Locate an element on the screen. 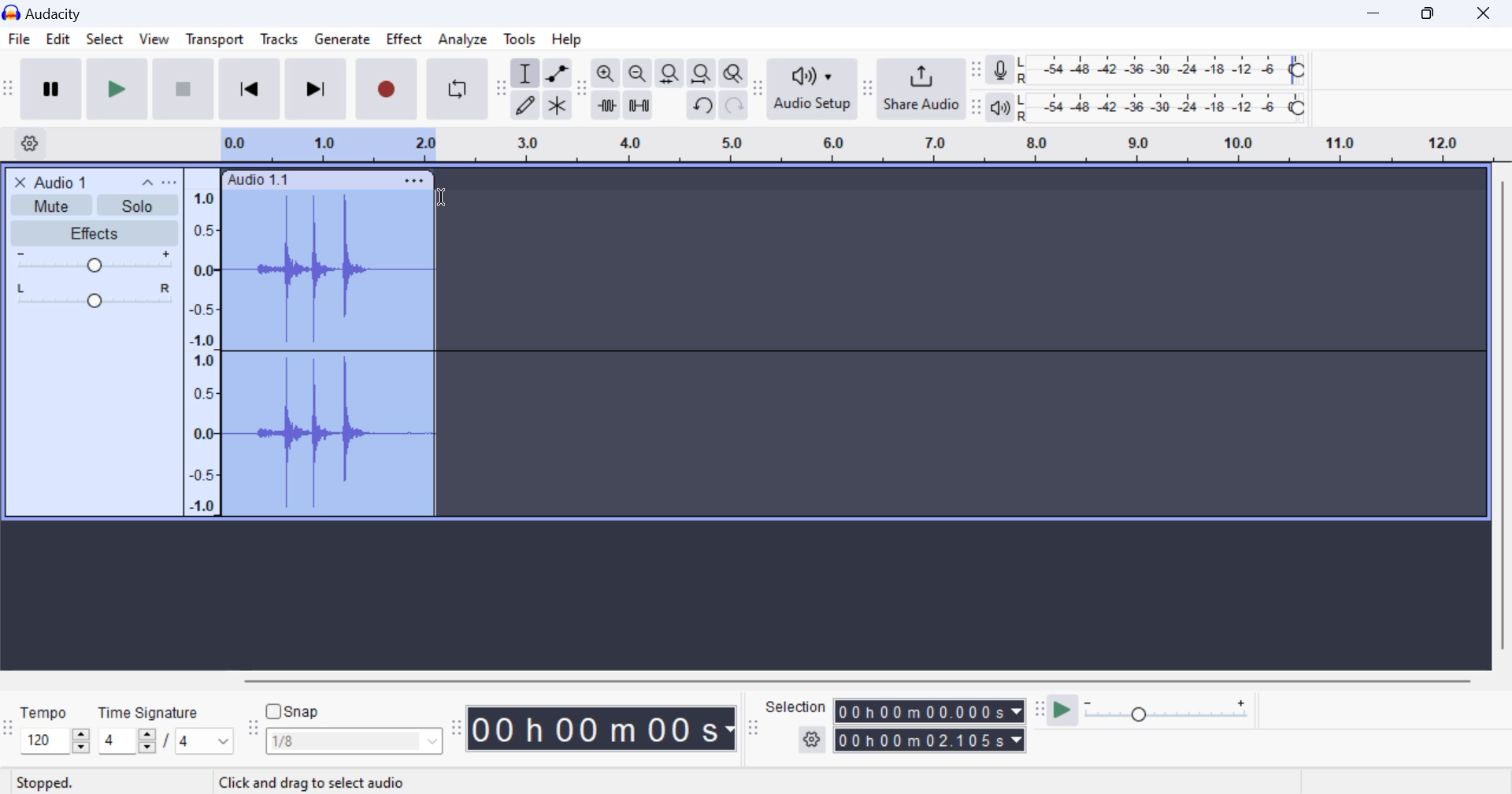 The height and width of the screenshot is (794, 1512). Playback Level is located at coordinates (1162, 108).